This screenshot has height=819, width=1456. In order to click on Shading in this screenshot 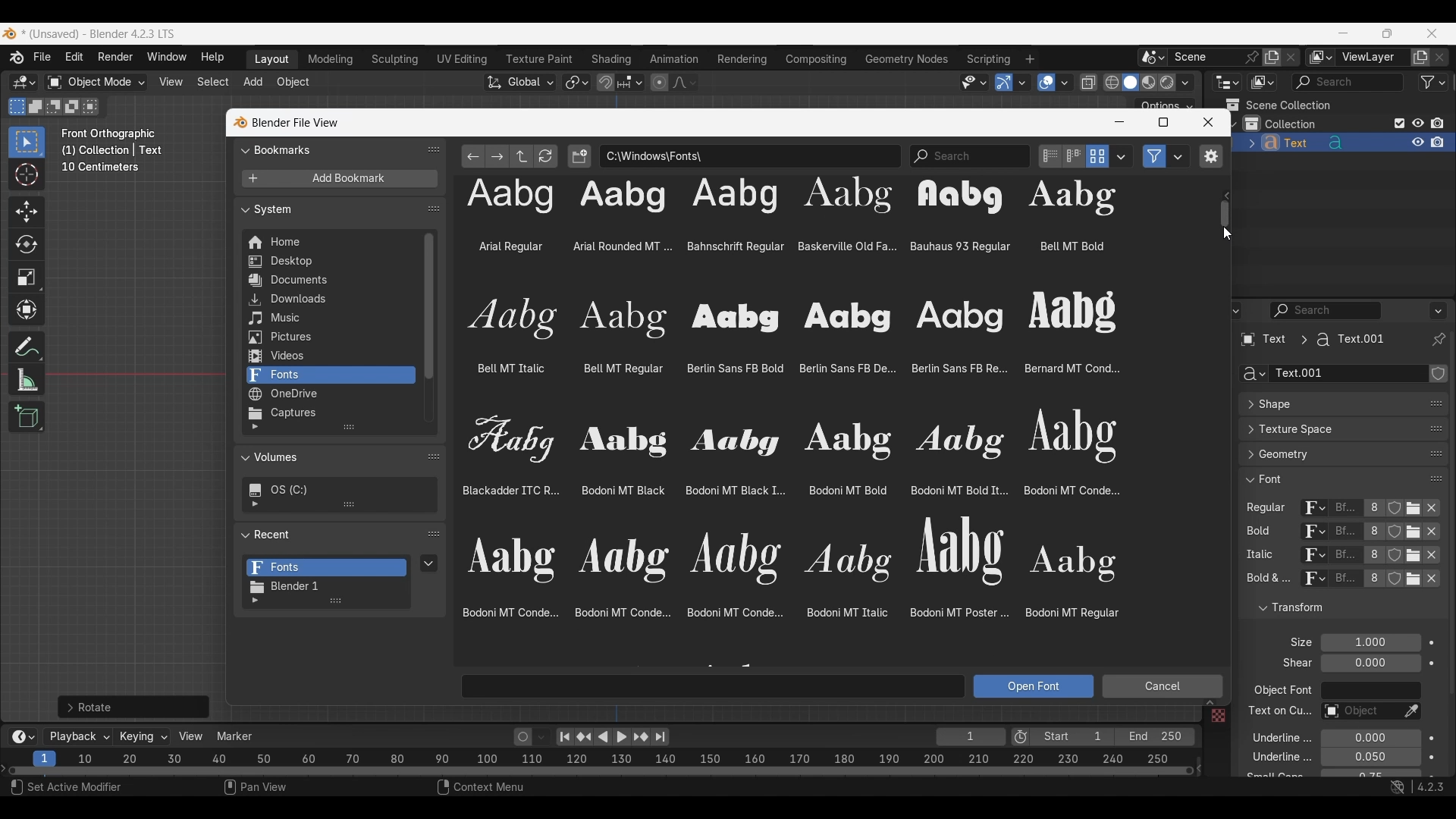, I will do `click(1185, 83)`.